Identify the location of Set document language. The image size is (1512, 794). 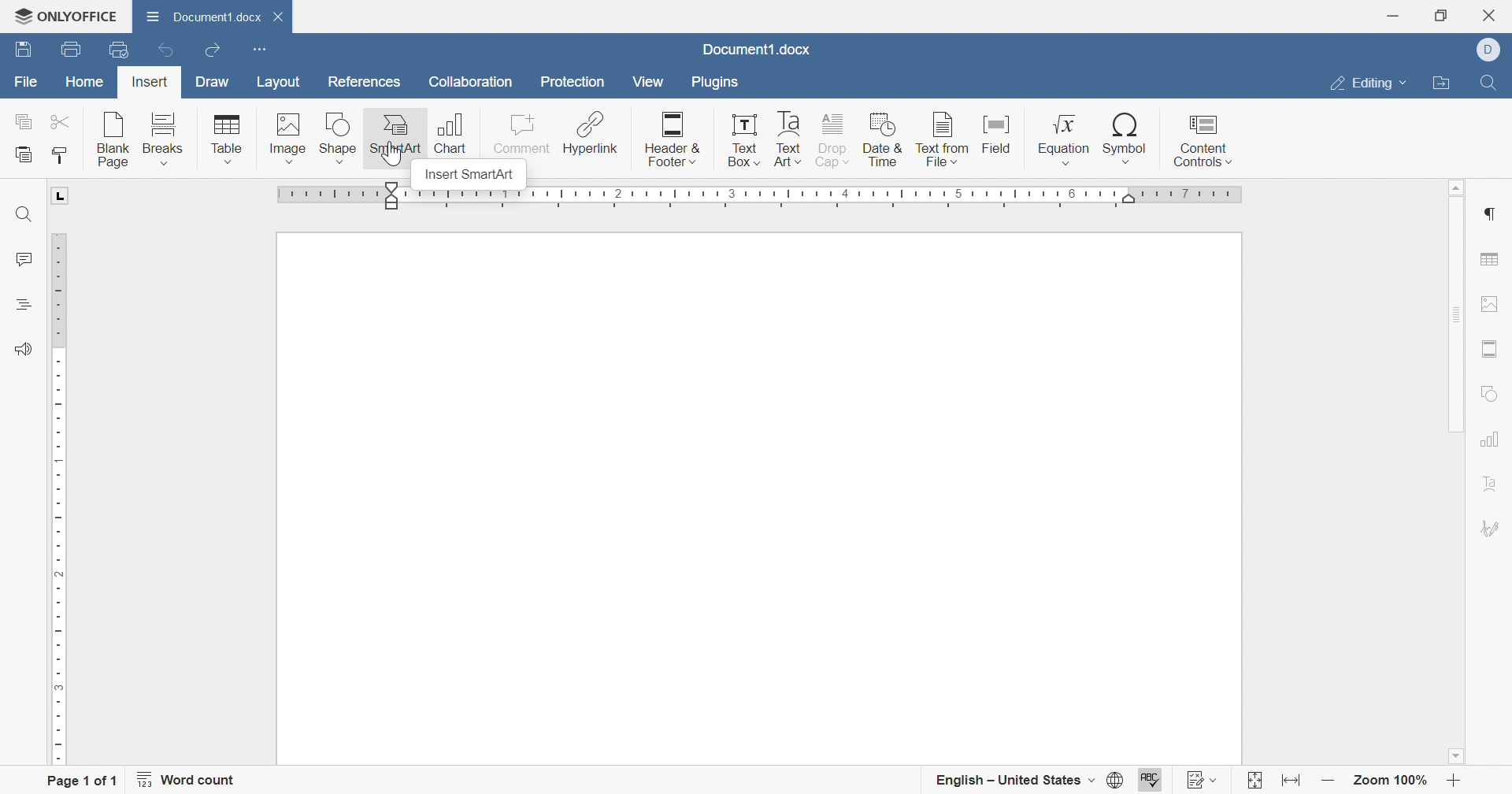
(1116, 779).